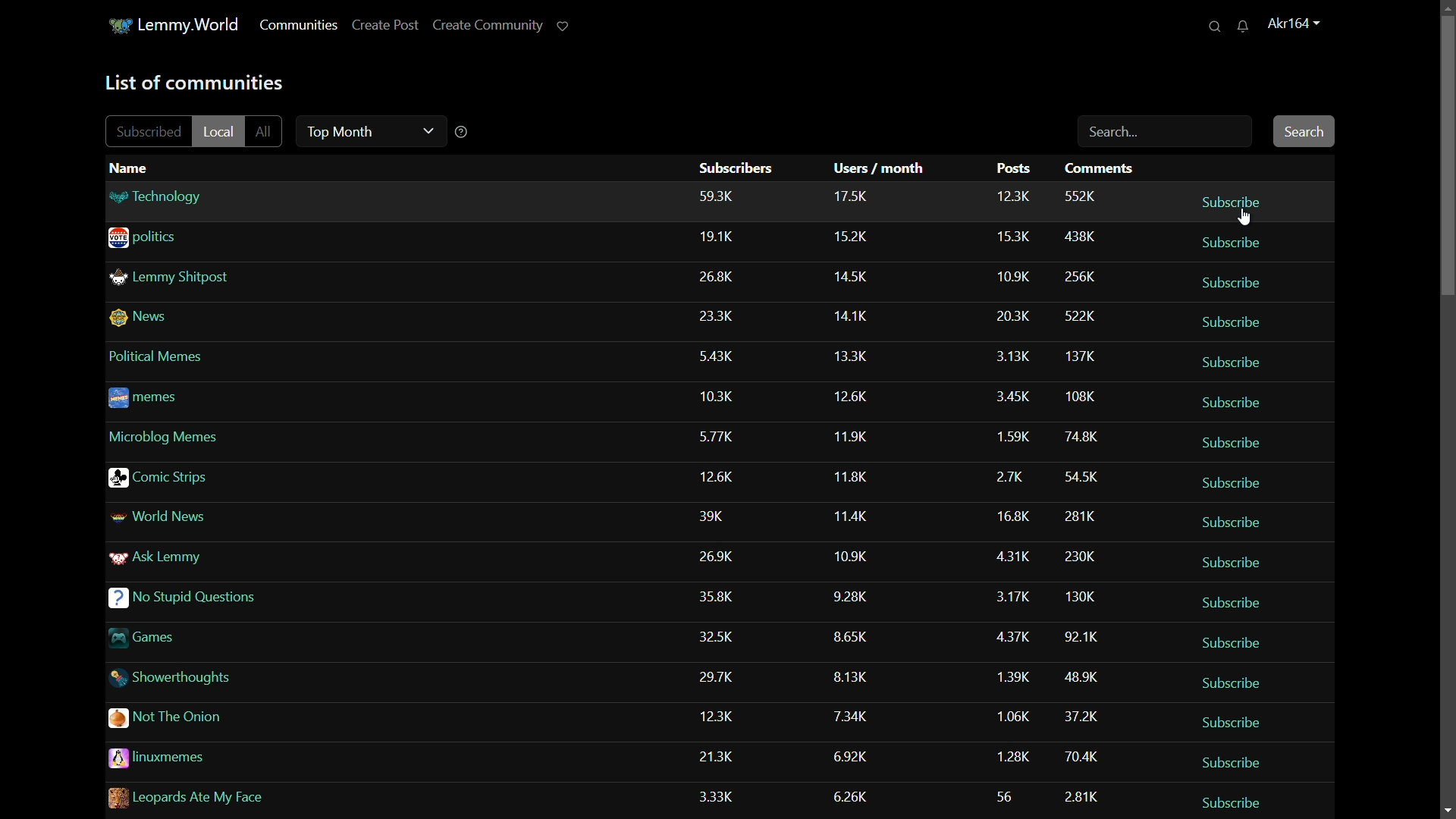  What do you see at coordinates (150, 131) in the screenshot?
I see `subscribed` at bounding box center [150, 131].